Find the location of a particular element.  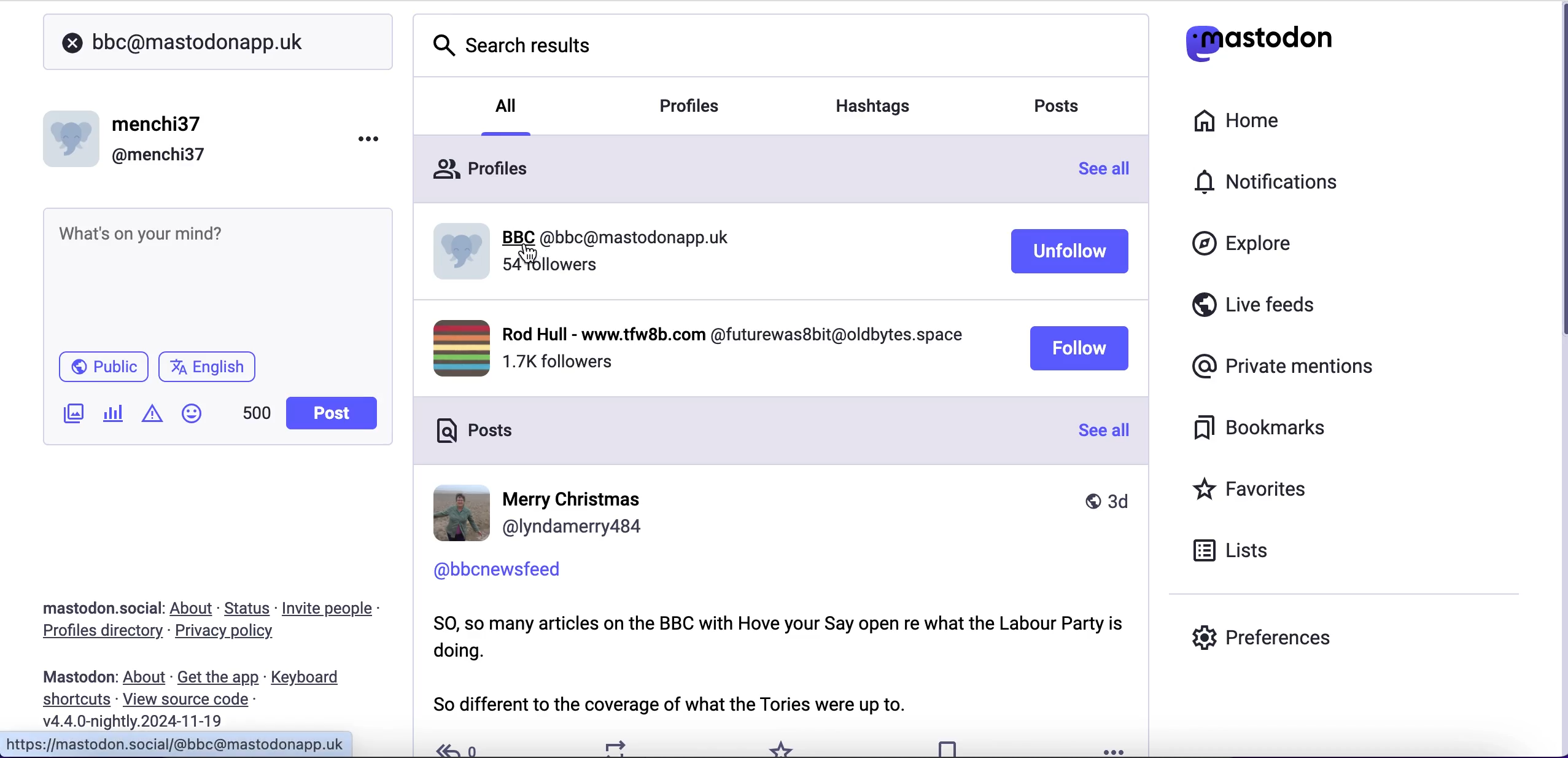

3d is located at coordinates (1106, 500).